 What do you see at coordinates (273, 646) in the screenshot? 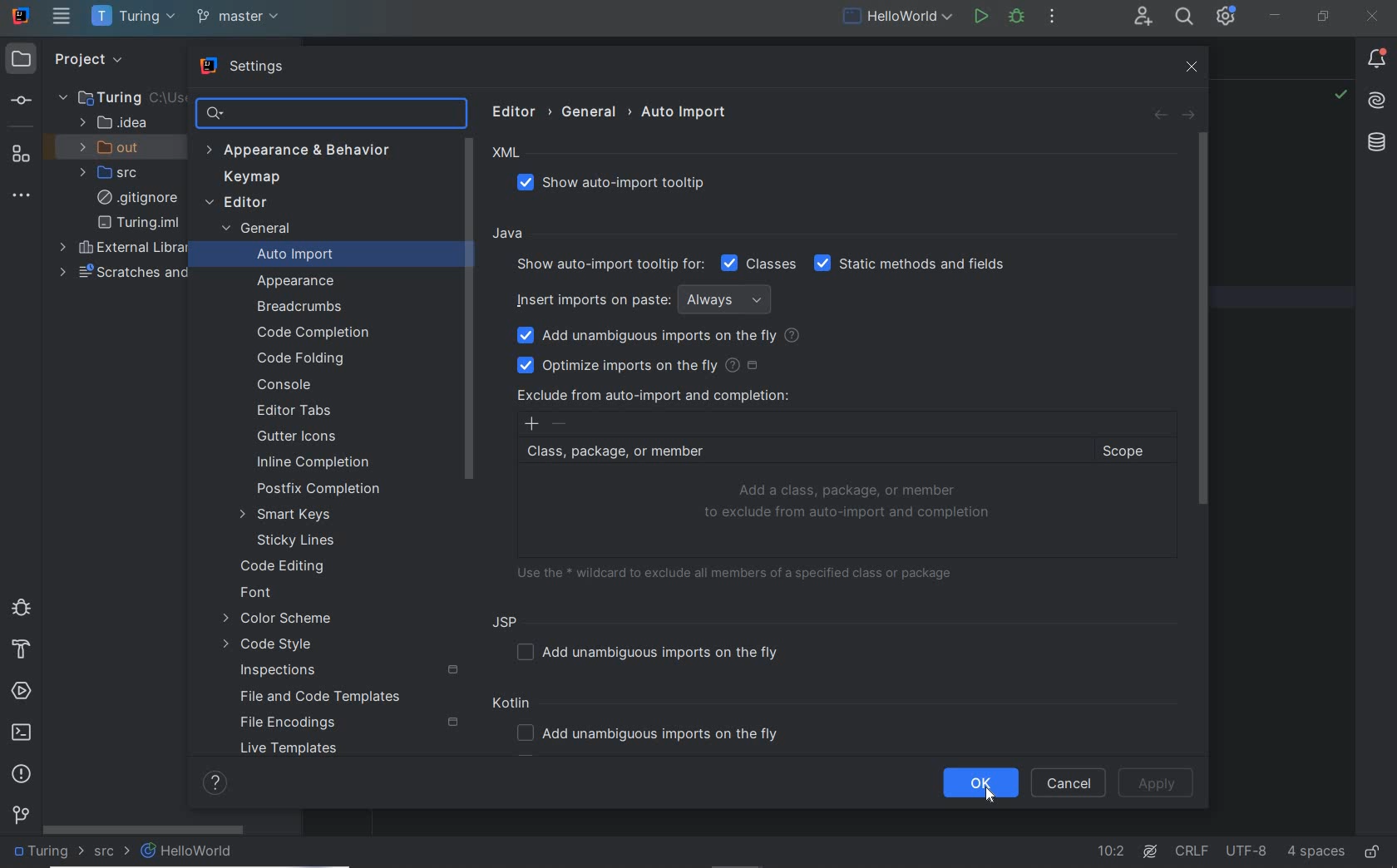
I see `CODE STYLE` at bounding box center [273, 646].